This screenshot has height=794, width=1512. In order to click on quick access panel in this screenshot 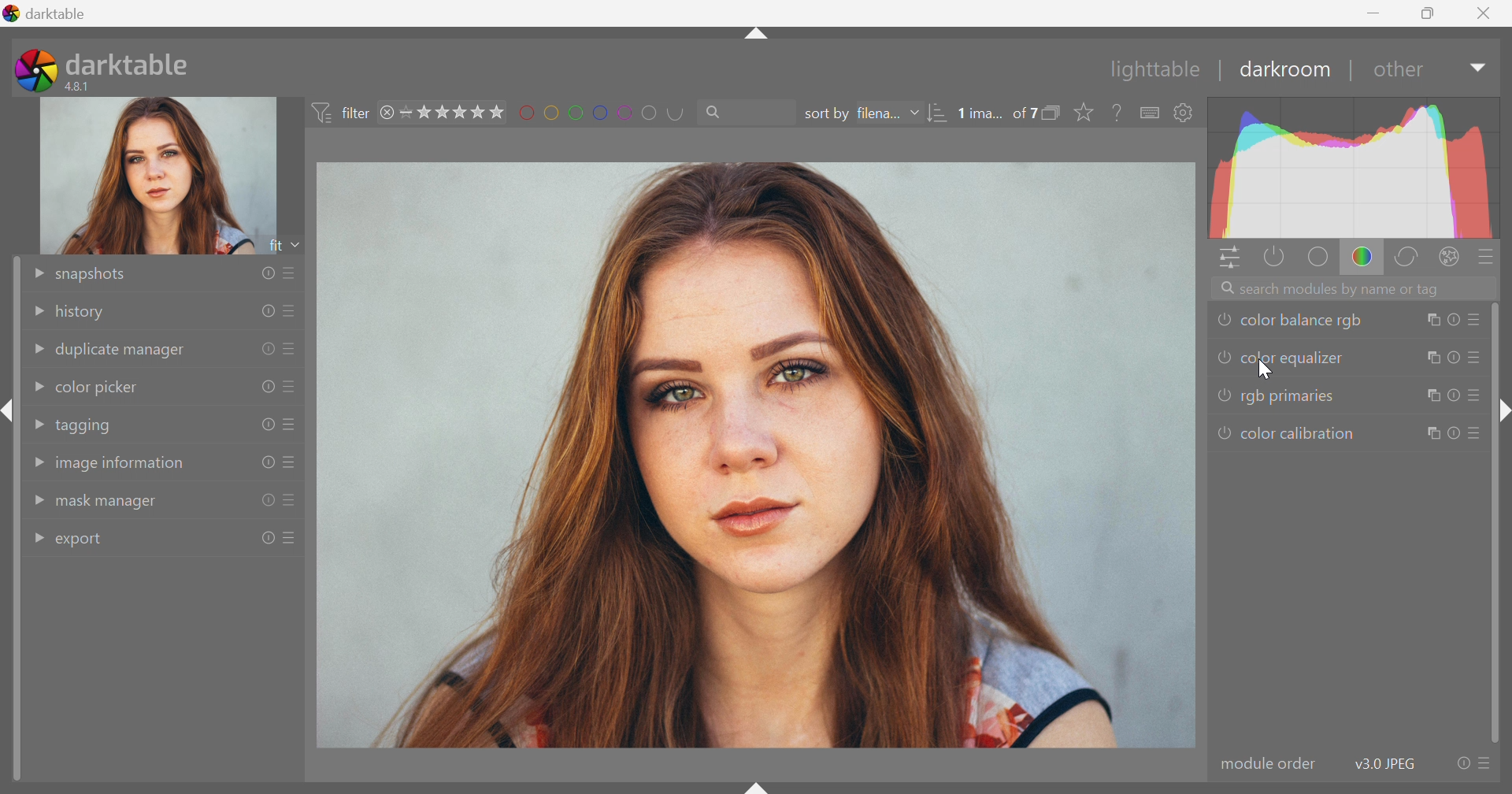, I will do `click(1226, 258)`.